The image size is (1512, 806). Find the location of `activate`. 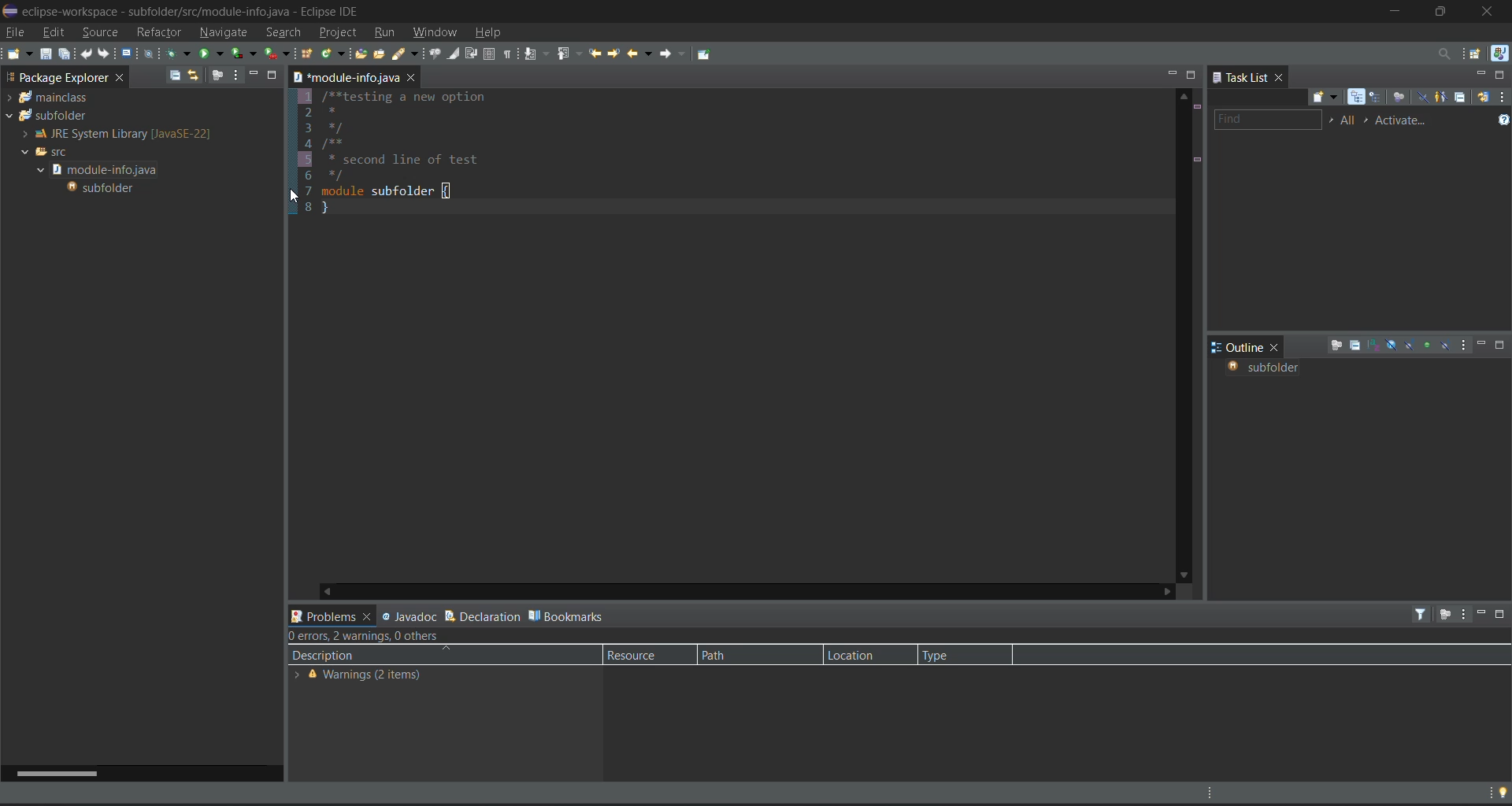

activate is located at coordinates (1406, 120).